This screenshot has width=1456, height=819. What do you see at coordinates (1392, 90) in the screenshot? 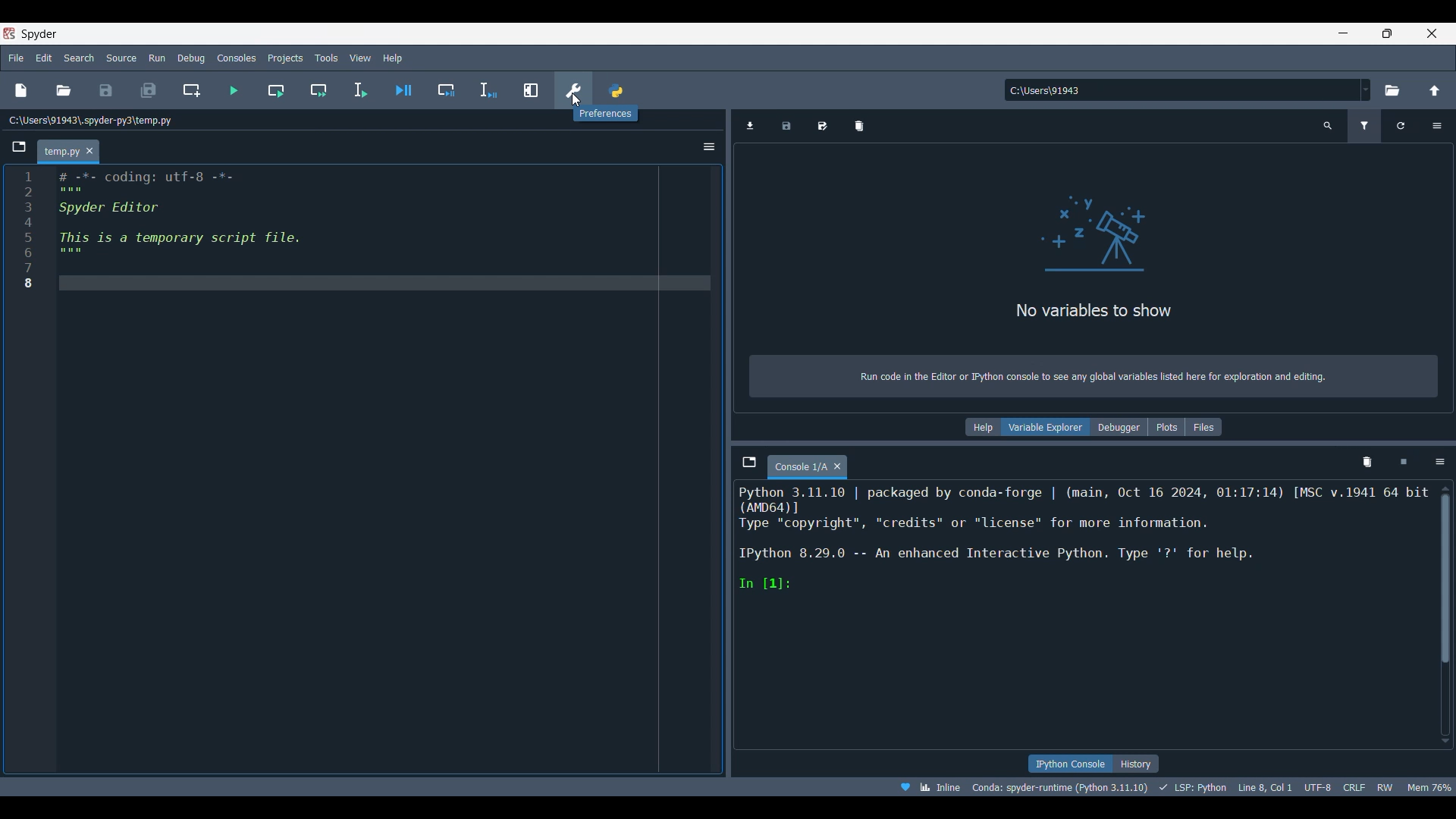
I see `Browse a working directory` at bounding box center [1392, 90].